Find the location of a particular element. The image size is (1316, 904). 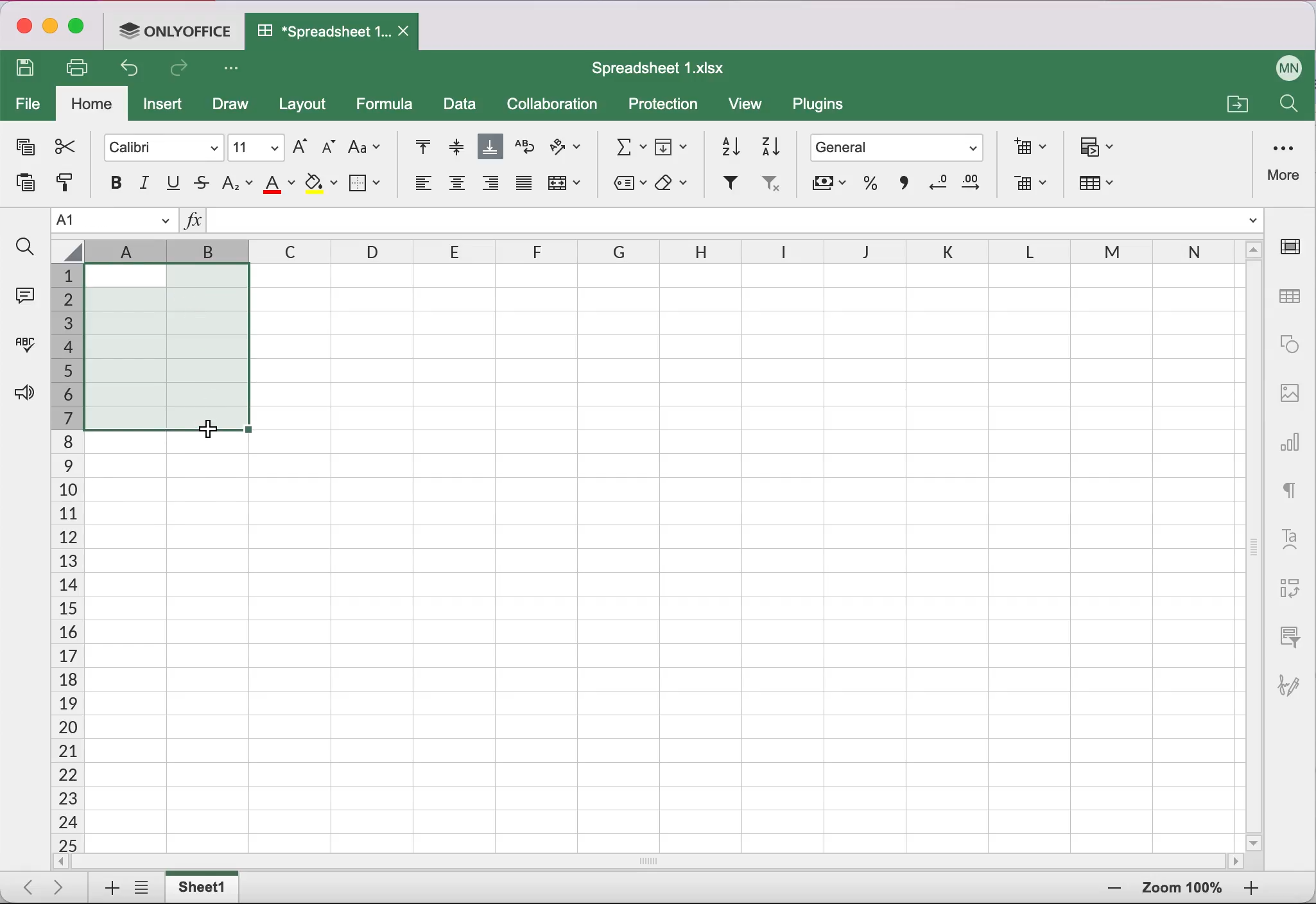

align center is located at coordinates (457, 187).